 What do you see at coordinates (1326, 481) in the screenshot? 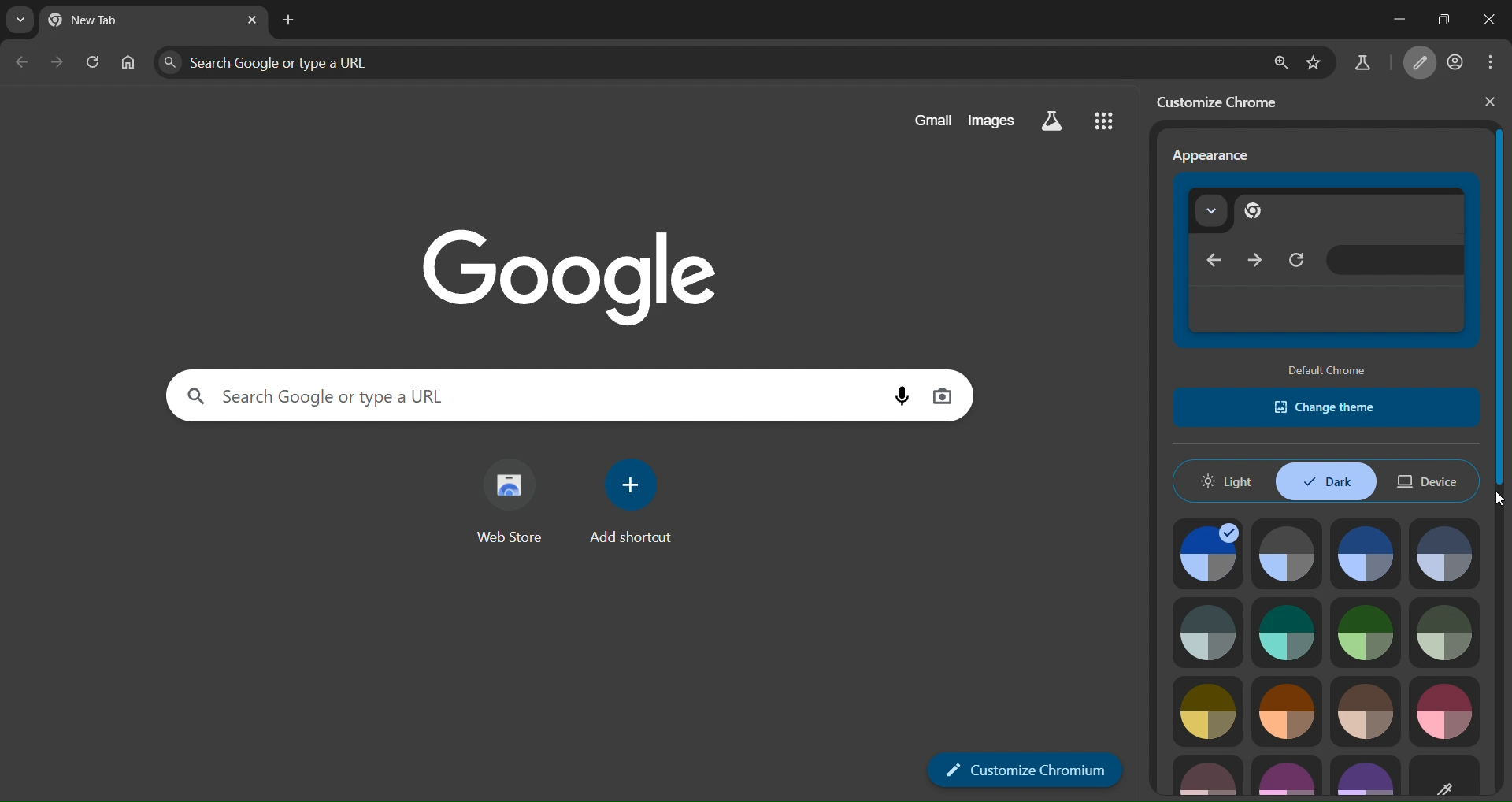
I see `dark` at bounding box center [1326, 481].